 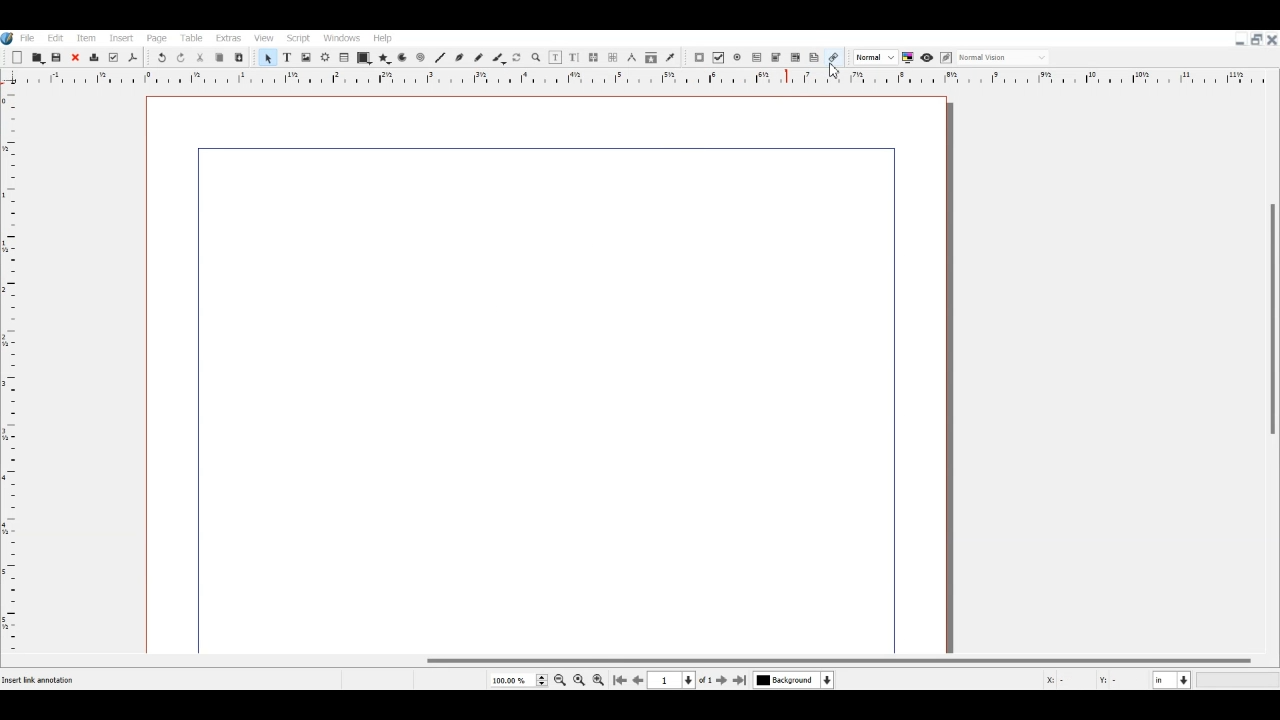 I want to click on Insert, so click(x=120, y=38).